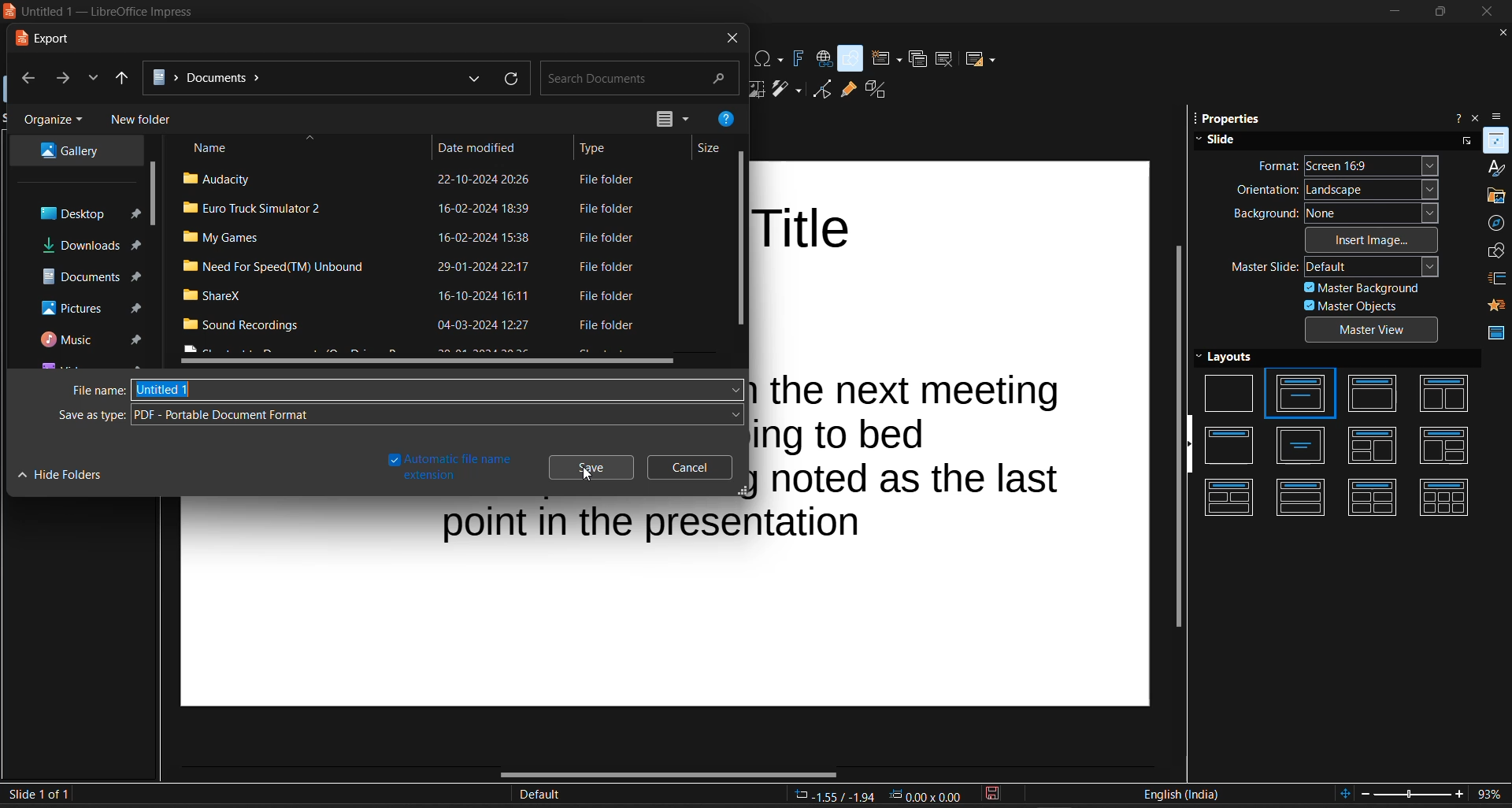  I want to click on scroll bar, so click(152, 194).